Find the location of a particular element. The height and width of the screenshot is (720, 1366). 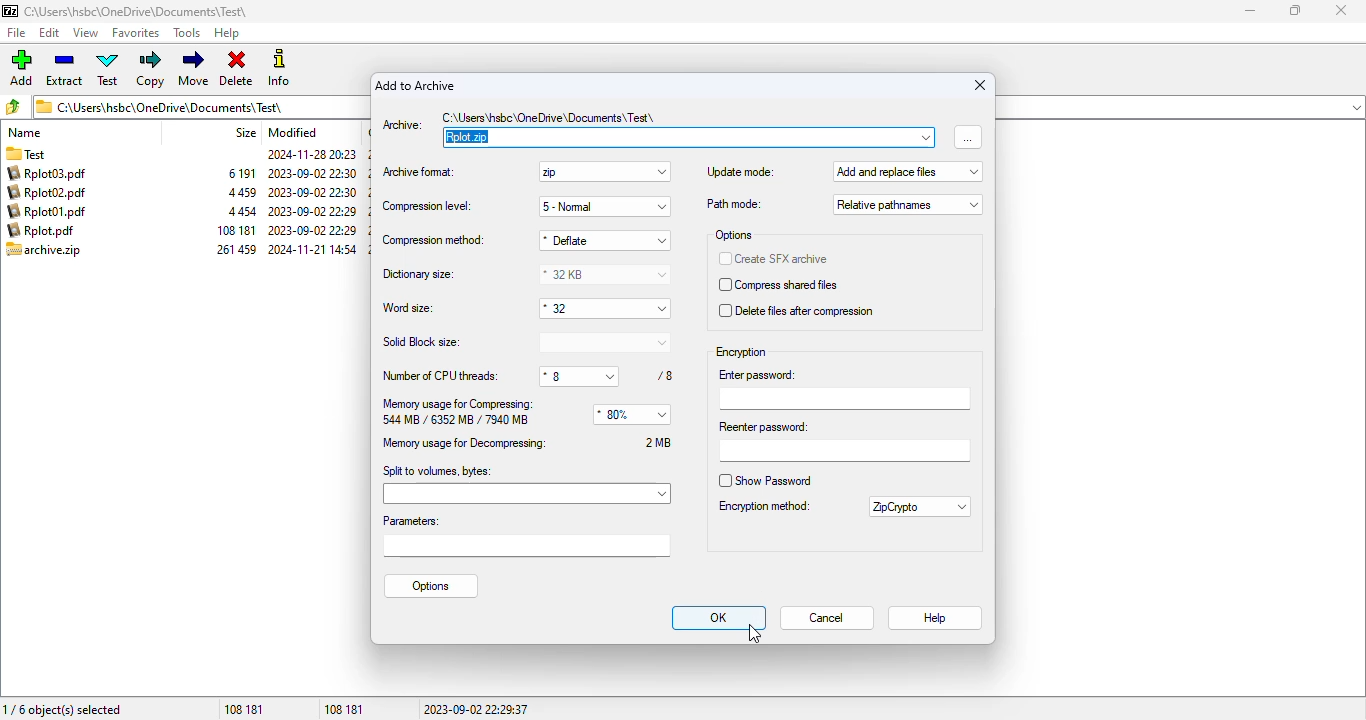

info is located at coordinates (279, 68).